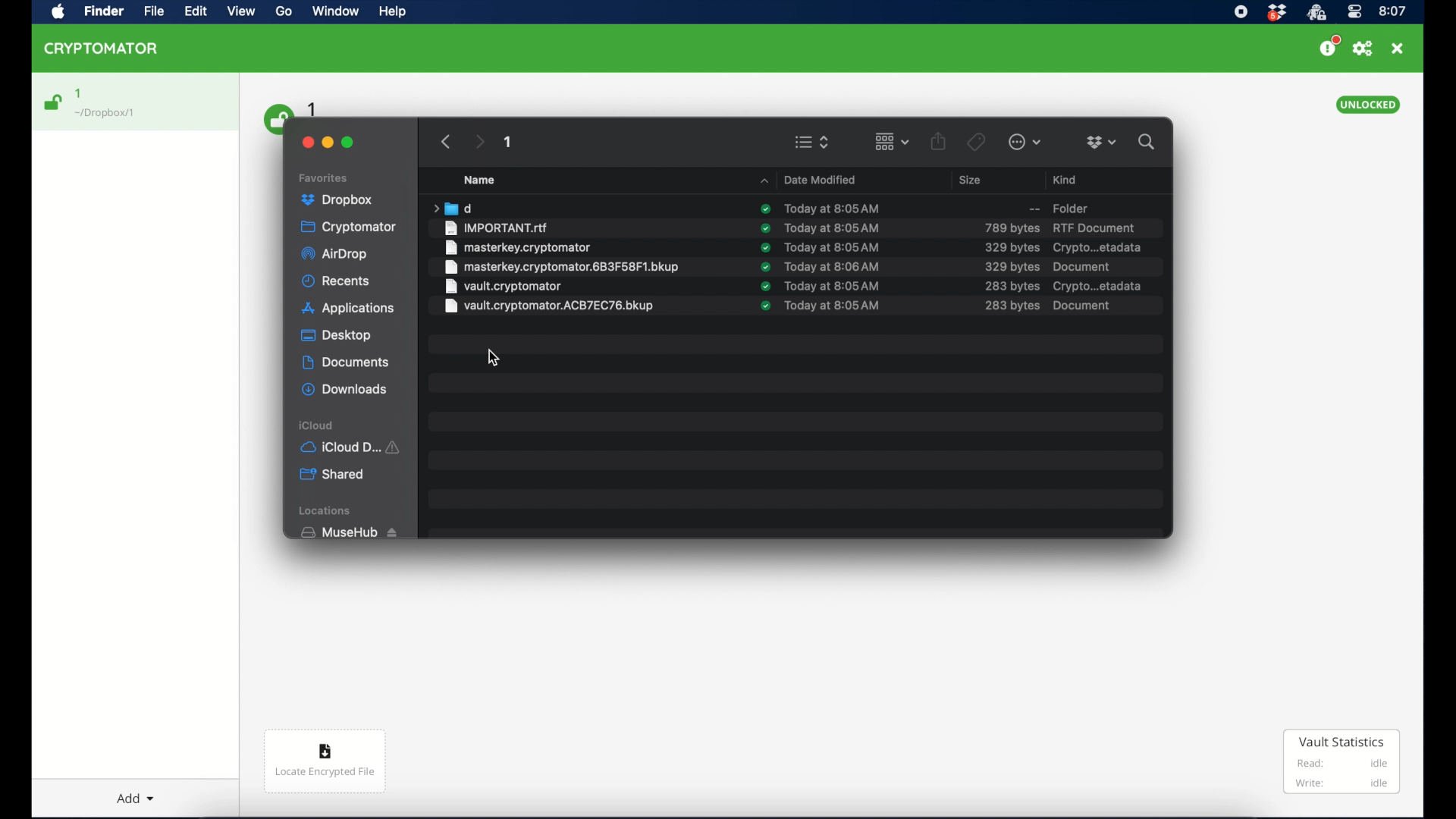 The image size is (1456, 819). What do you see at coordinates (1398, 49) in the screenshot?
I see `close` at bounding box center [1398, 49].